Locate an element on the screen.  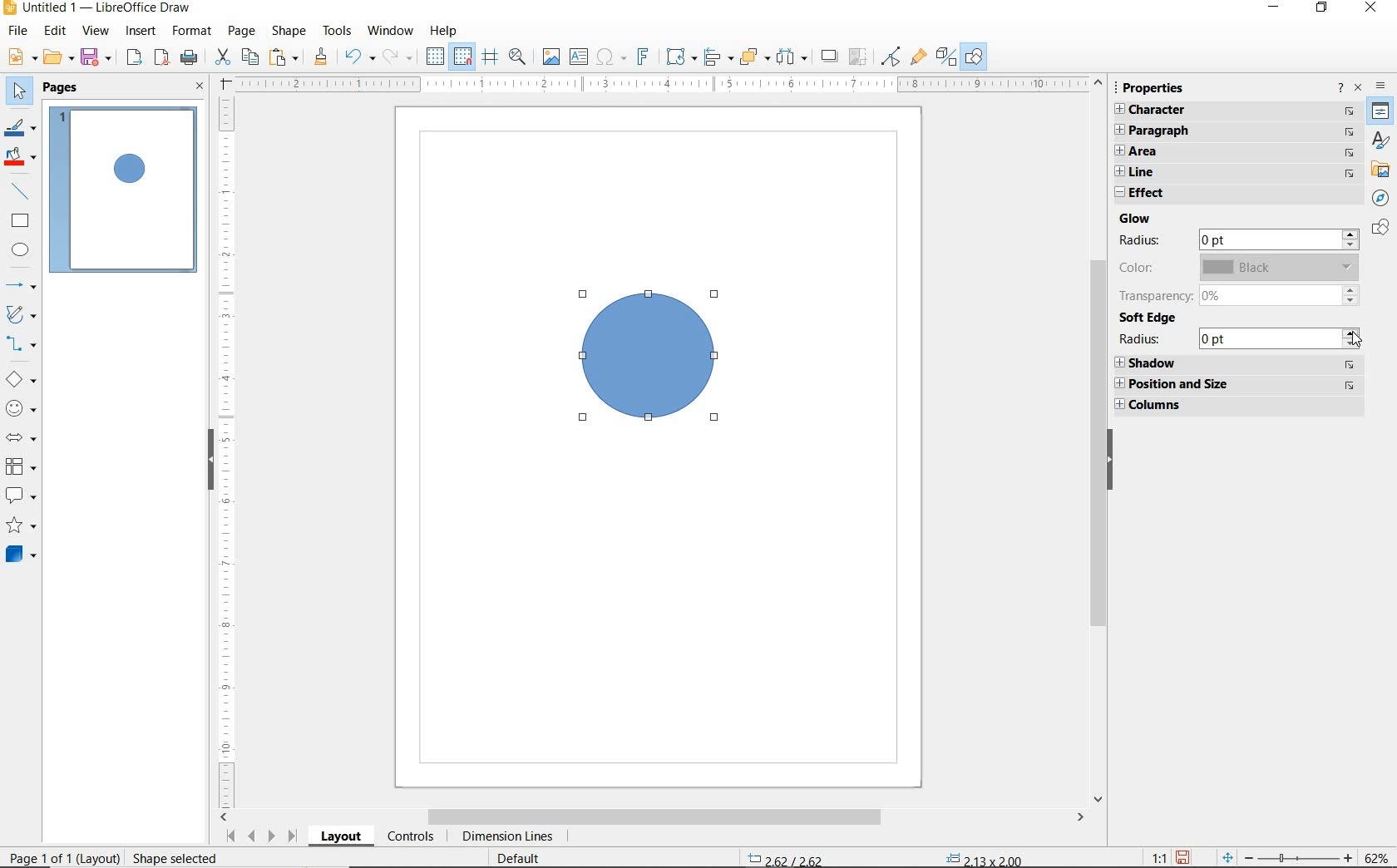
STARS AND BANNERS is located at coordinates (21, 526).